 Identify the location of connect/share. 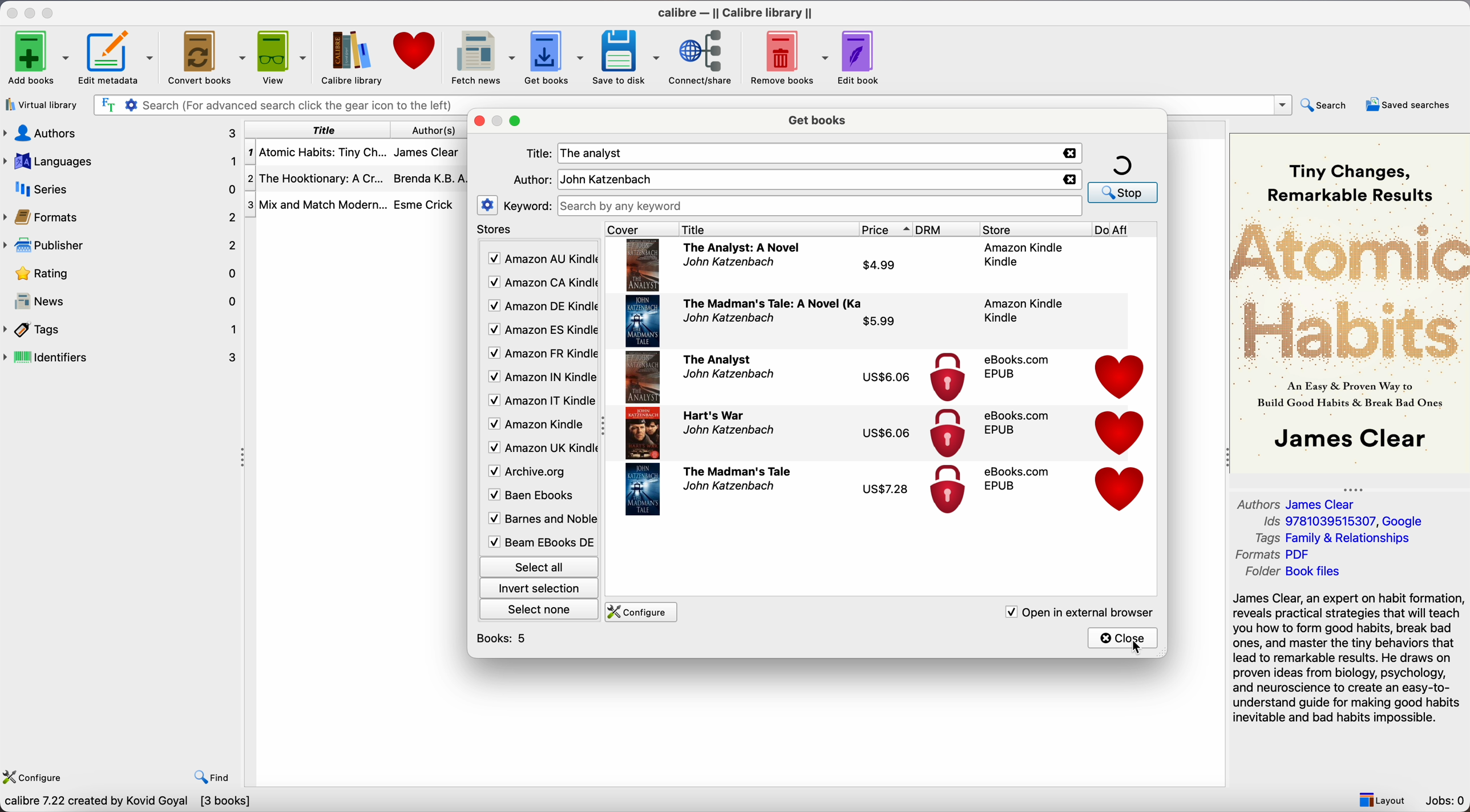
(702, 58).